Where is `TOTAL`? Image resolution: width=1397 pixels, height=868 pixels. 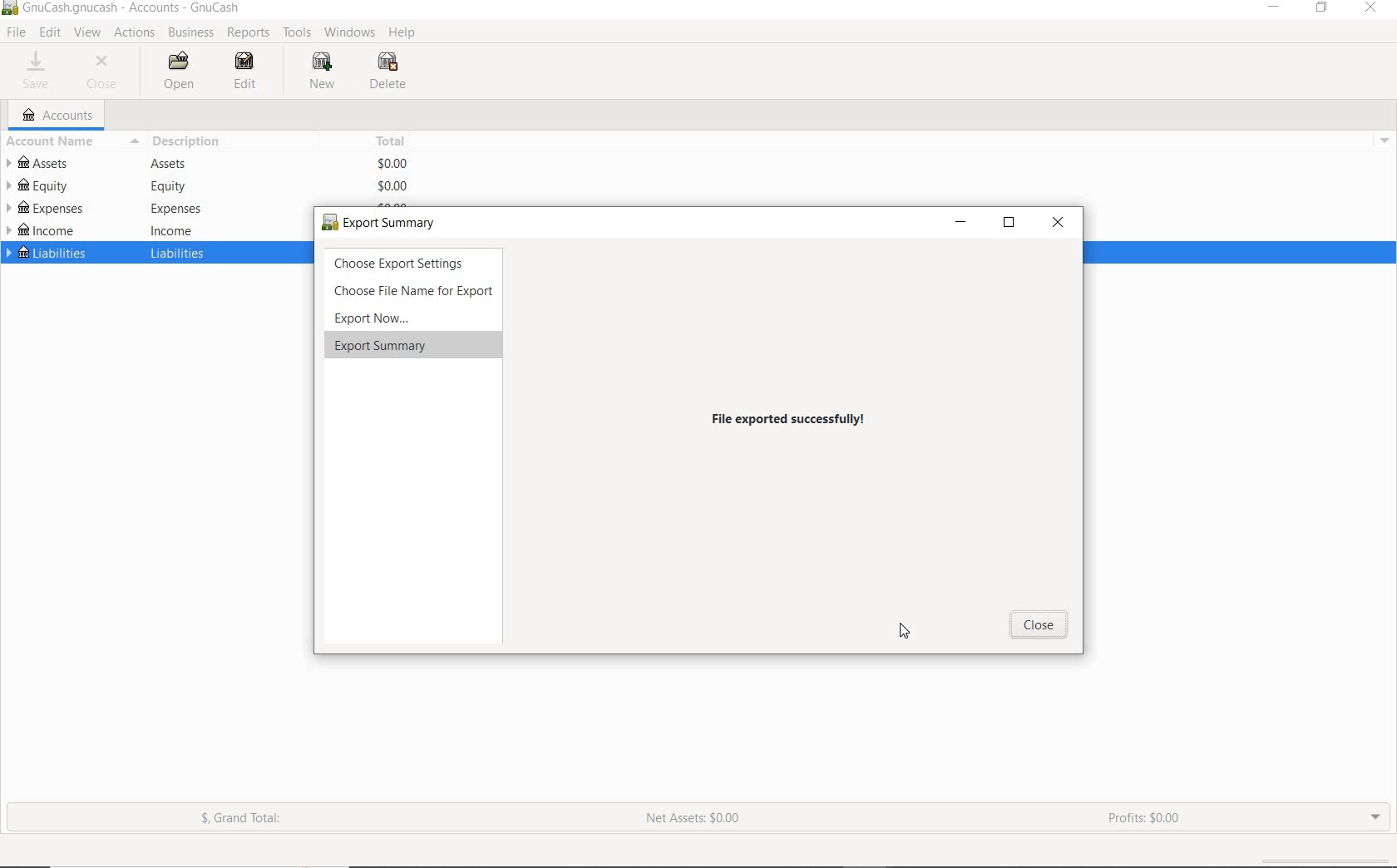 TOTAL is located at coordinates (393, 141).